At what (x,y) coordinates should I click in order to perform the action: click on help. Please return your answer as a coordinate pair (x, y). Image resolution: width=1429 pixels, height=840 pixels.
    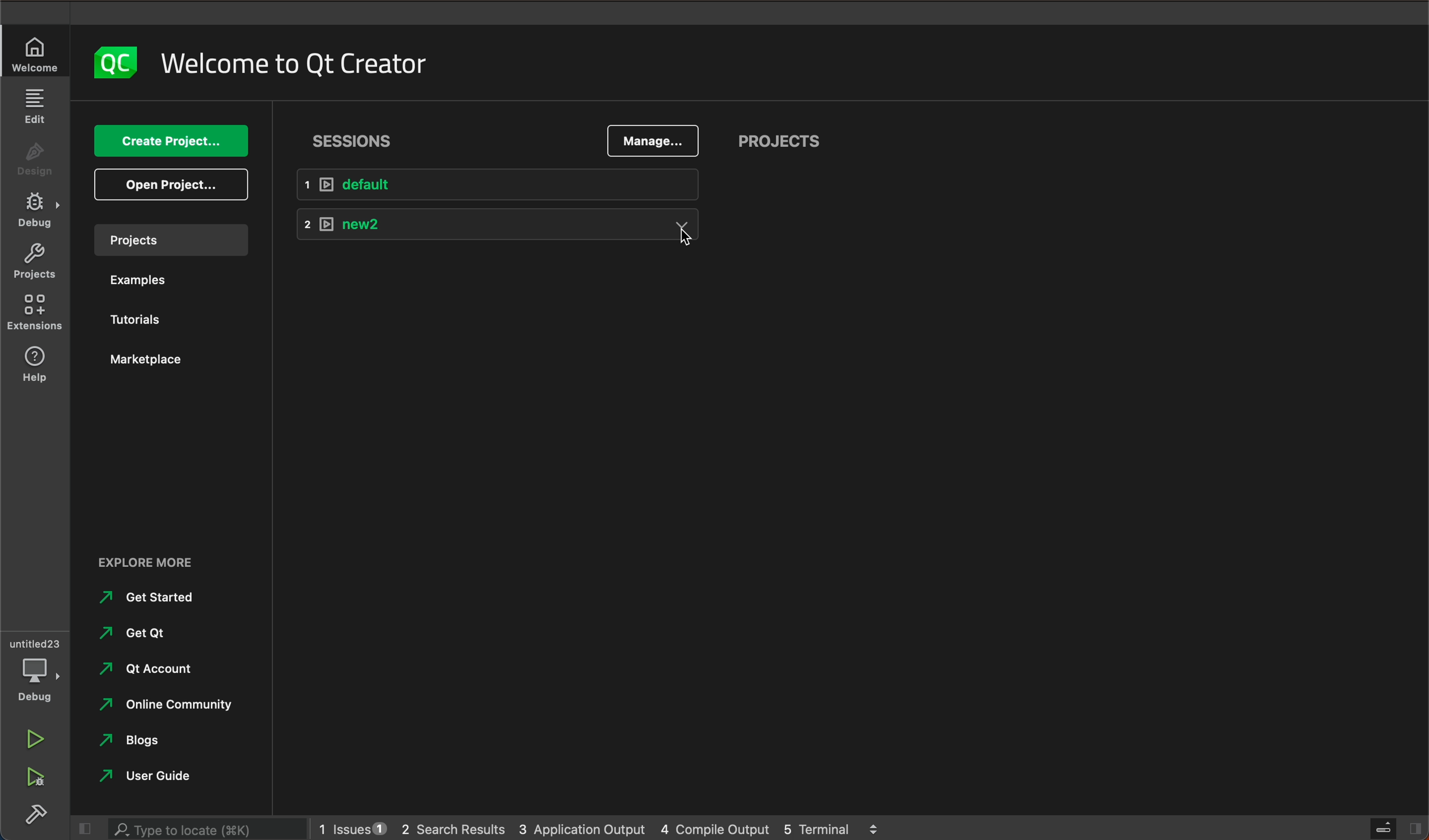
    Looking at the image, I should click on (35, 368).